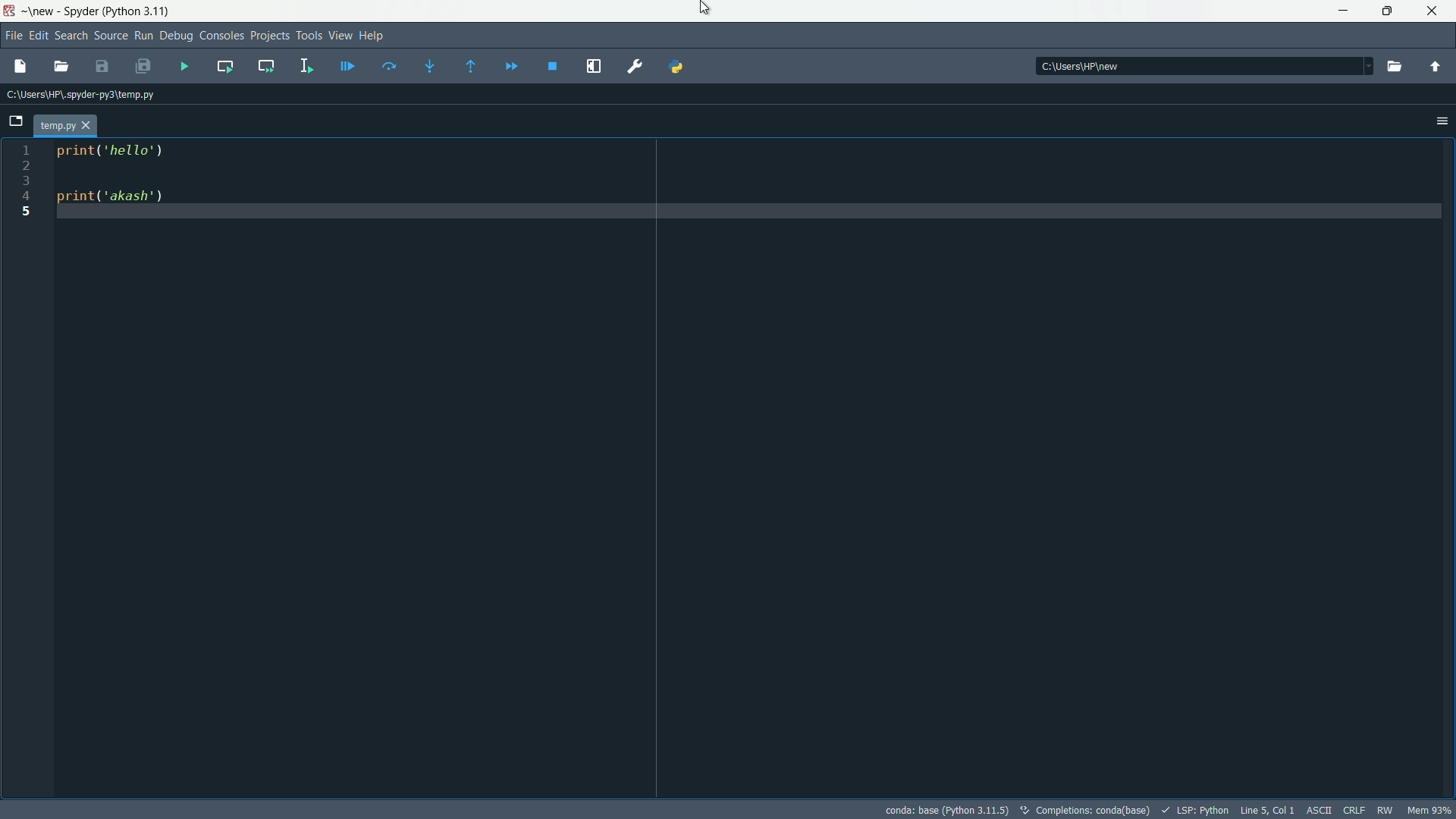  What do you see at coordinates (71, 35) in the screenshot?
I see `search menu` at bounding box center [71, 35].